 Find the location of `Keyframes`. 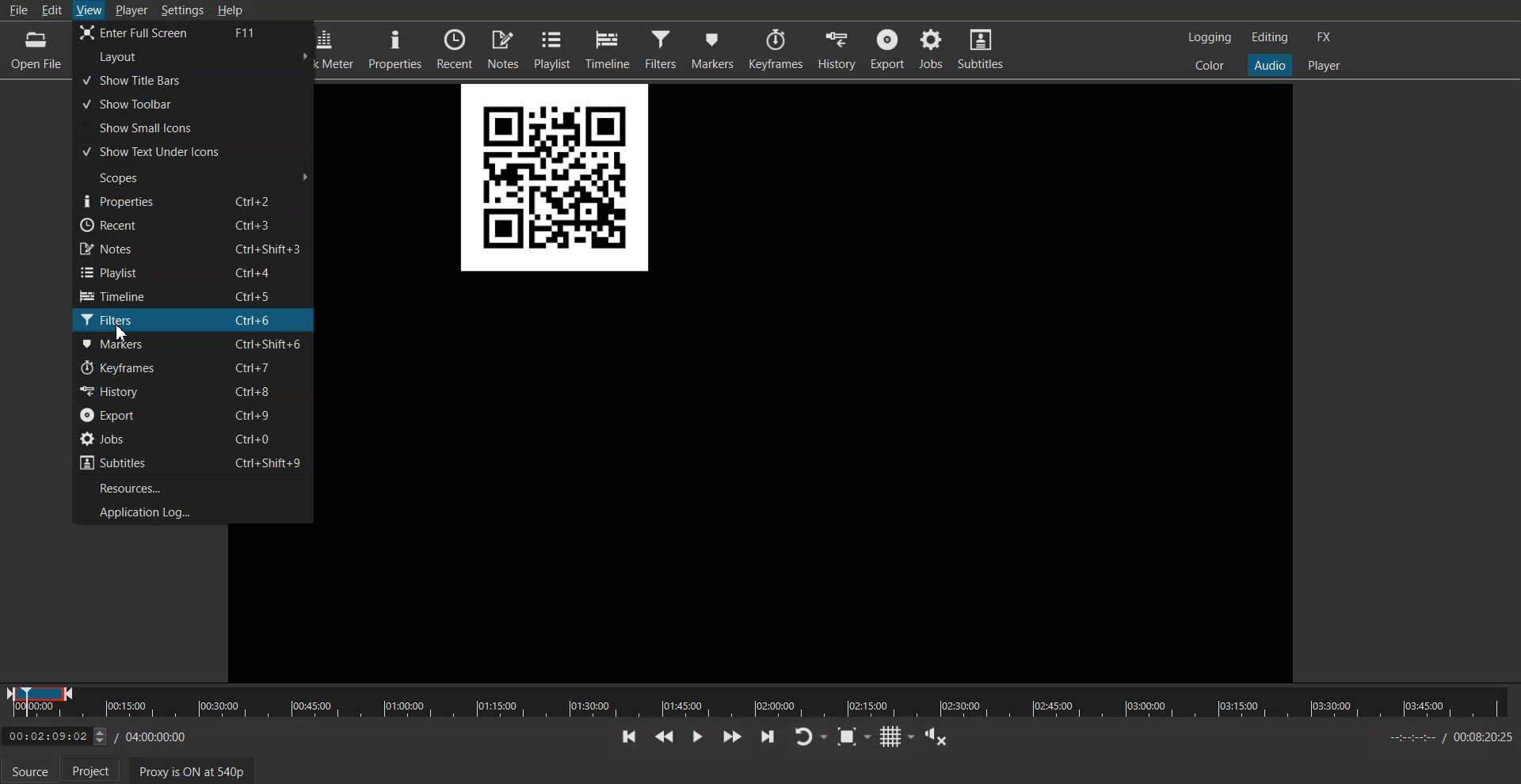

Keyframes is located at coordinates (775, 49).